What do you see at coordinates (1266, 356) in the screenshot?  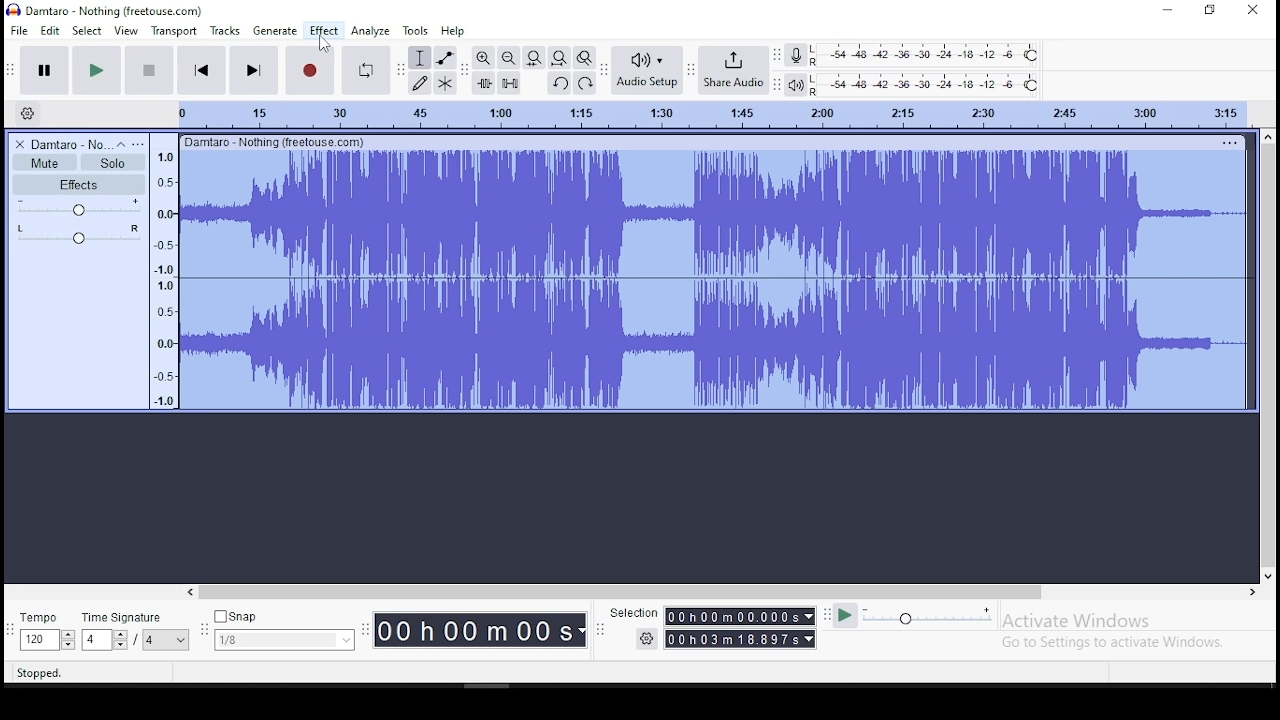 I see `scroll bar` at bounding box center [1266, 356].